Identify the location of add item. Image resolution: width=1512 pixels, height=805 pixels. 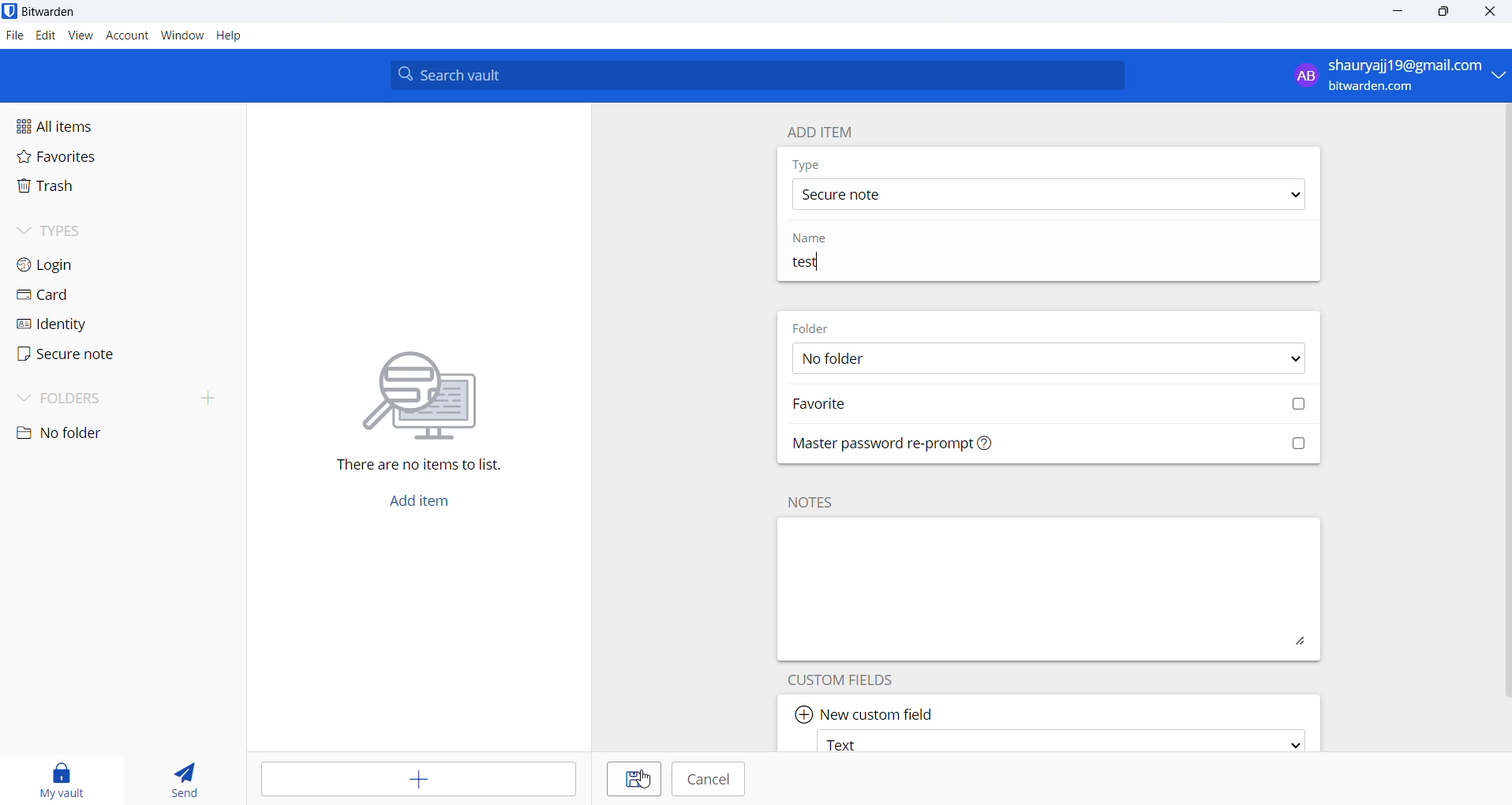
(815, 130).